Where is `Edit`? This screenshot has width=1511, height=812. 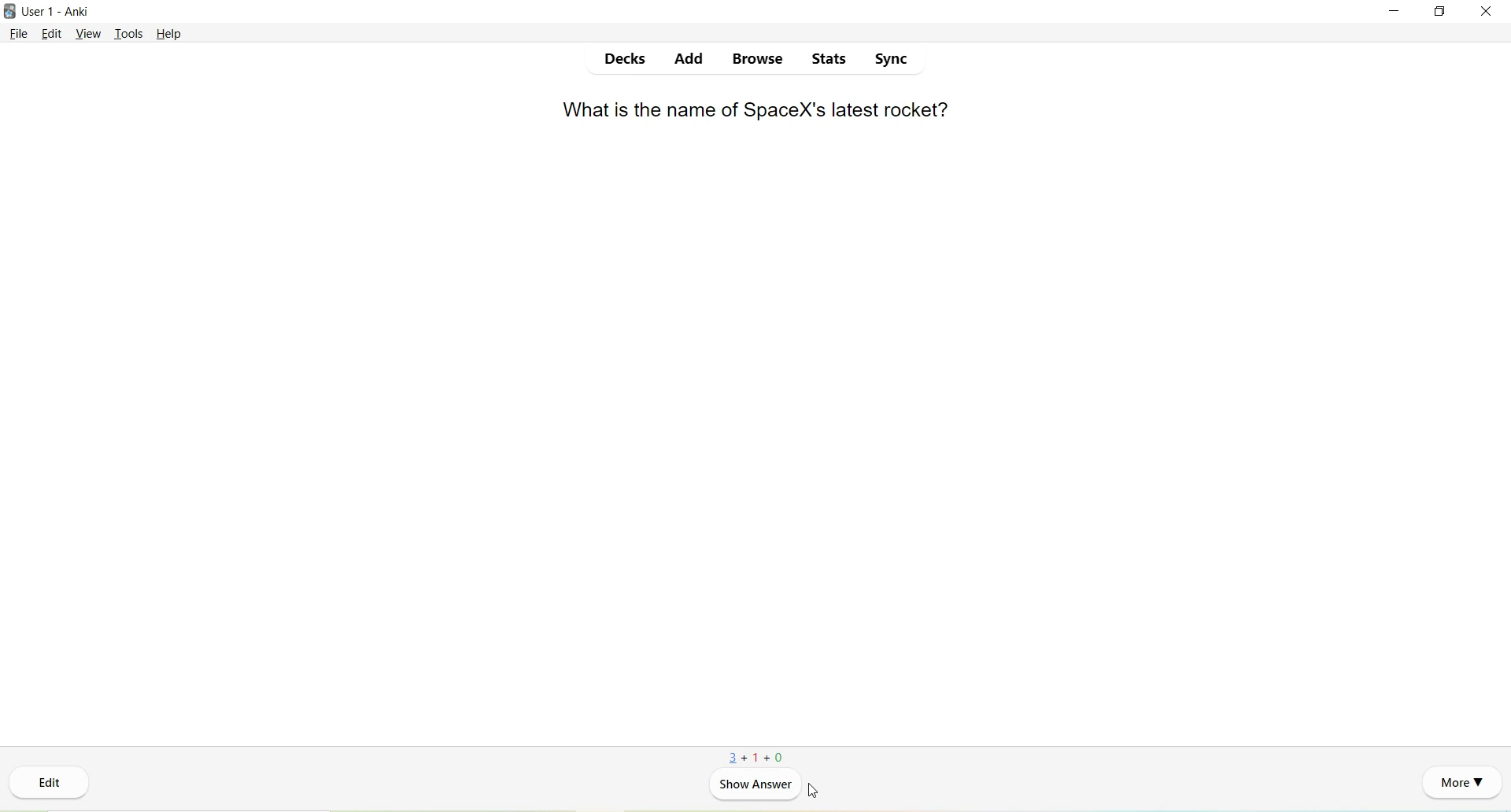 Edit is located at coordinates (50, 787).